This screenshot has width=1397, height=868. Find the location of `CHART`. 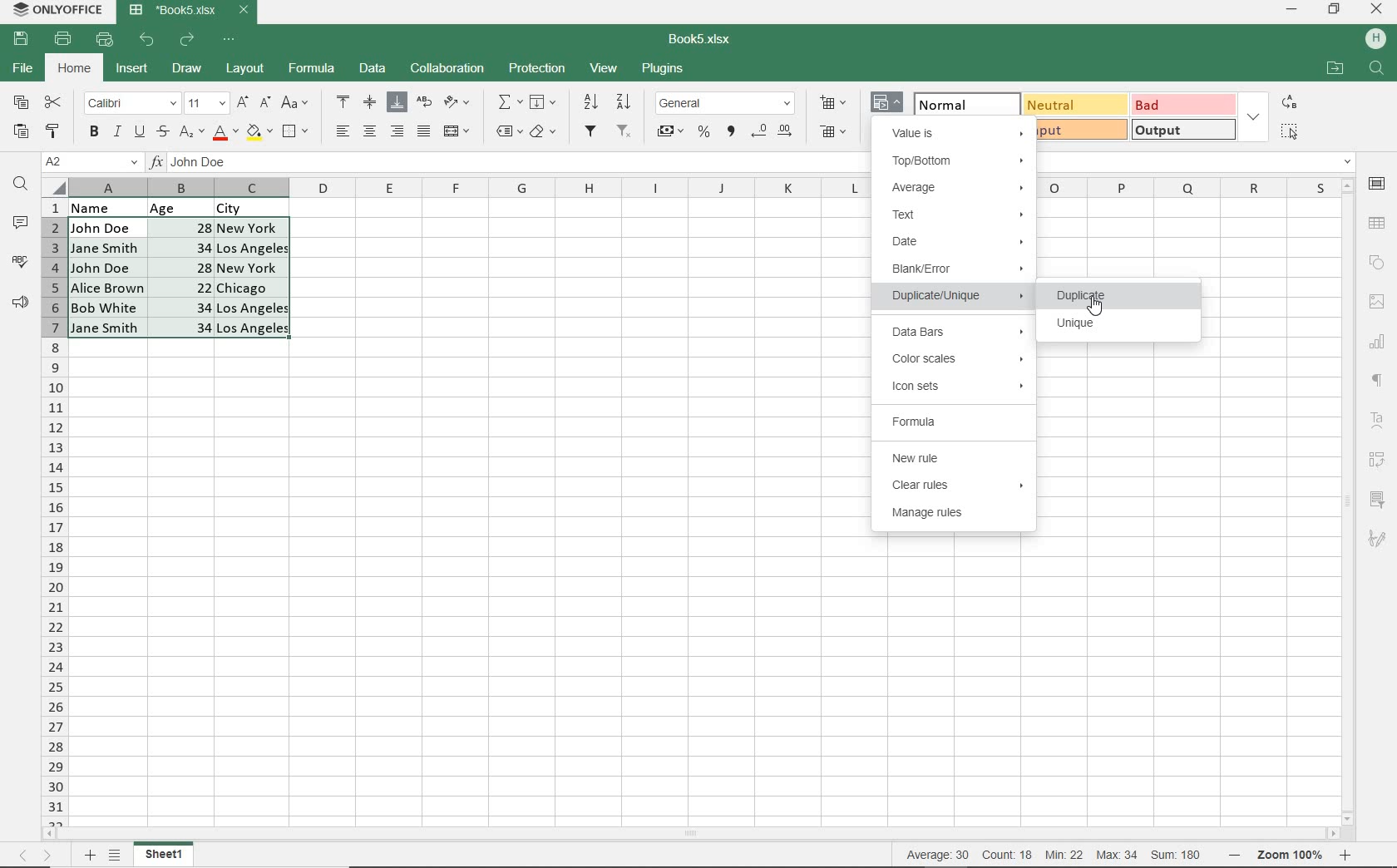

CHART is located at coordinates (1378, 341).